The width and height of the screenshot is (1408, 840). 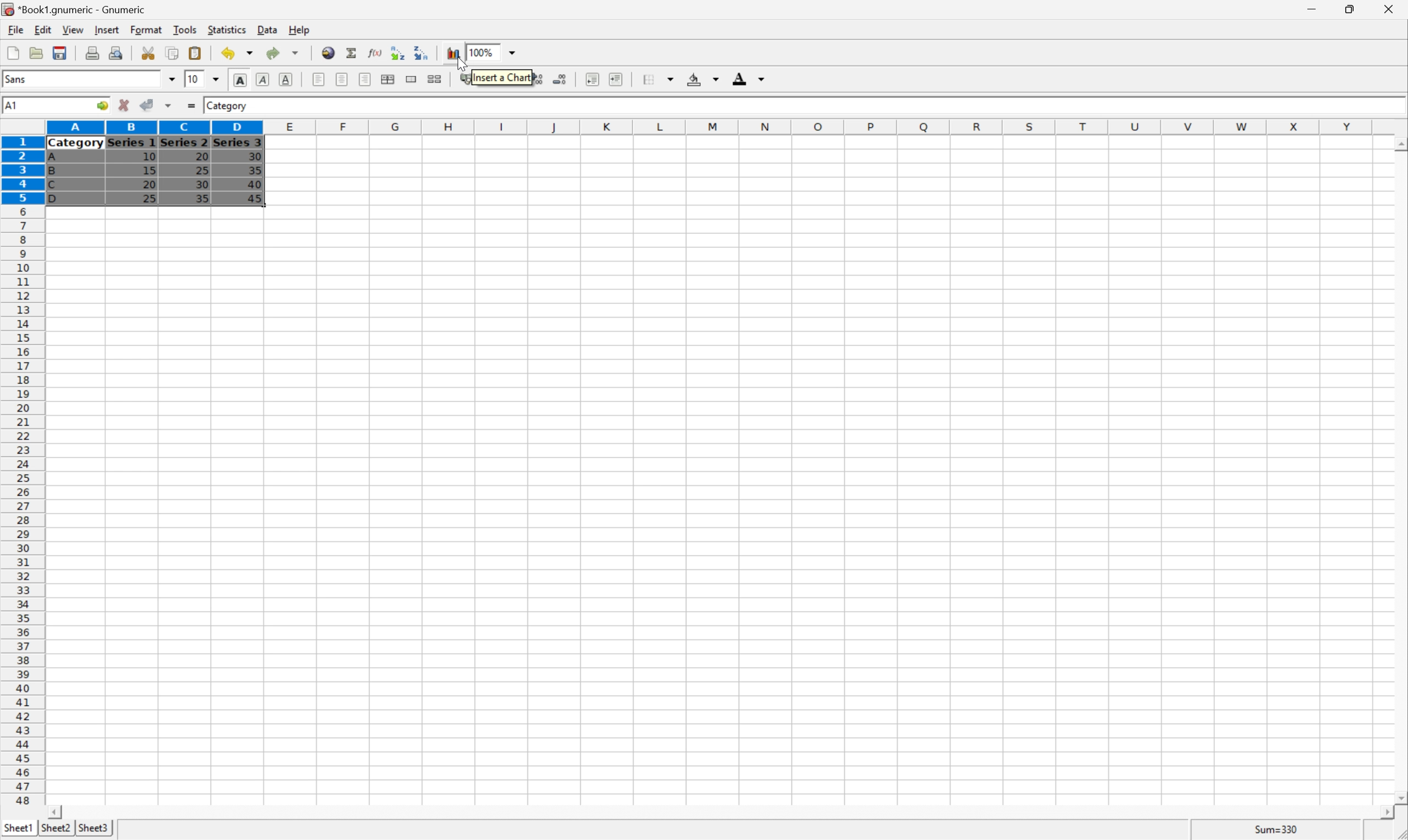 What do you see at coordinates (365, 80) in the screenshot?
I see `Align Right` at bounding box center [365, 80].